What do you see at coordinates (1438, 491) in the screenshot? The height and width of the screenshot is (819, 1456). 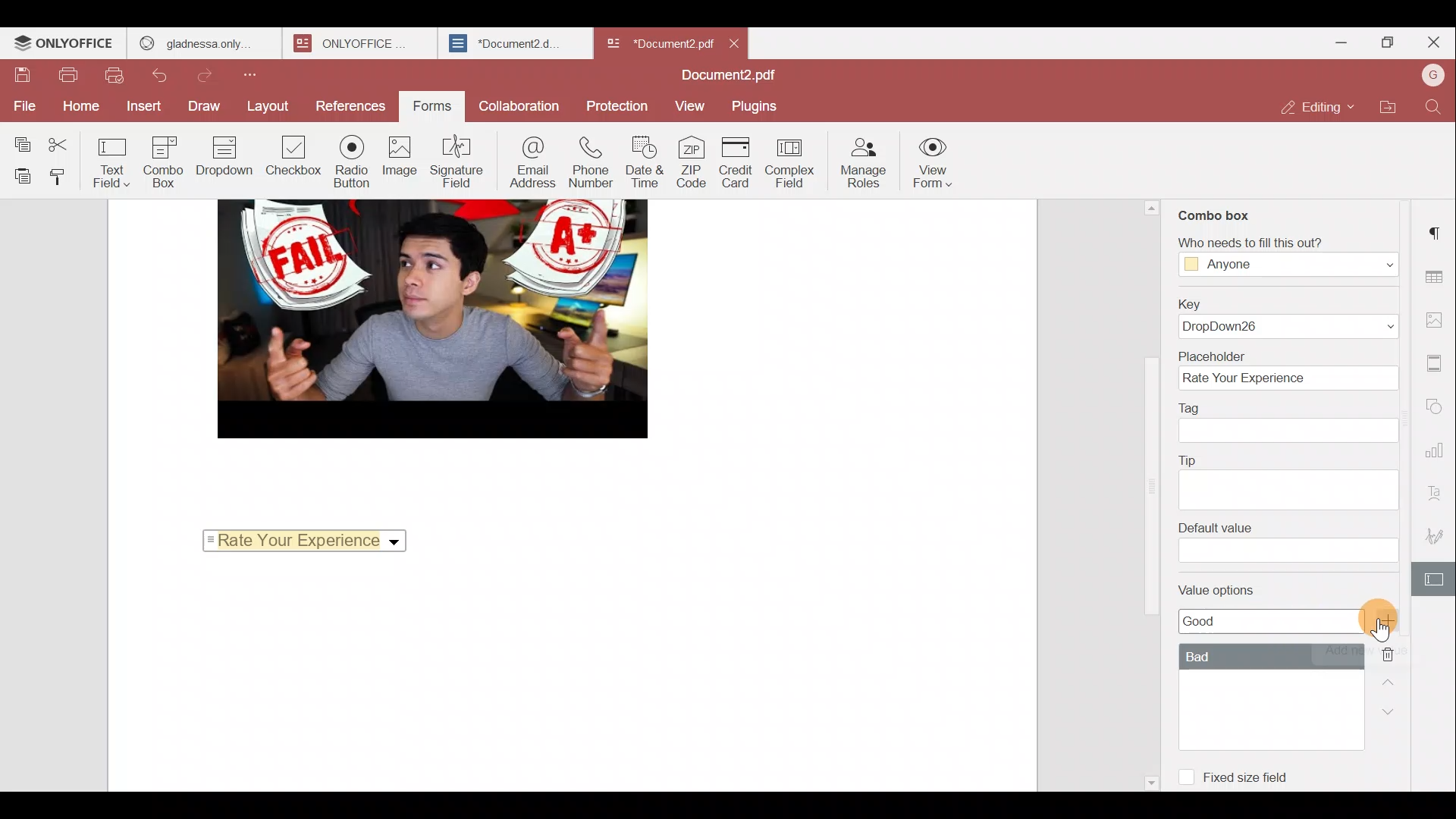 I see `Text Art settings` at bounding box center [1438, 491].